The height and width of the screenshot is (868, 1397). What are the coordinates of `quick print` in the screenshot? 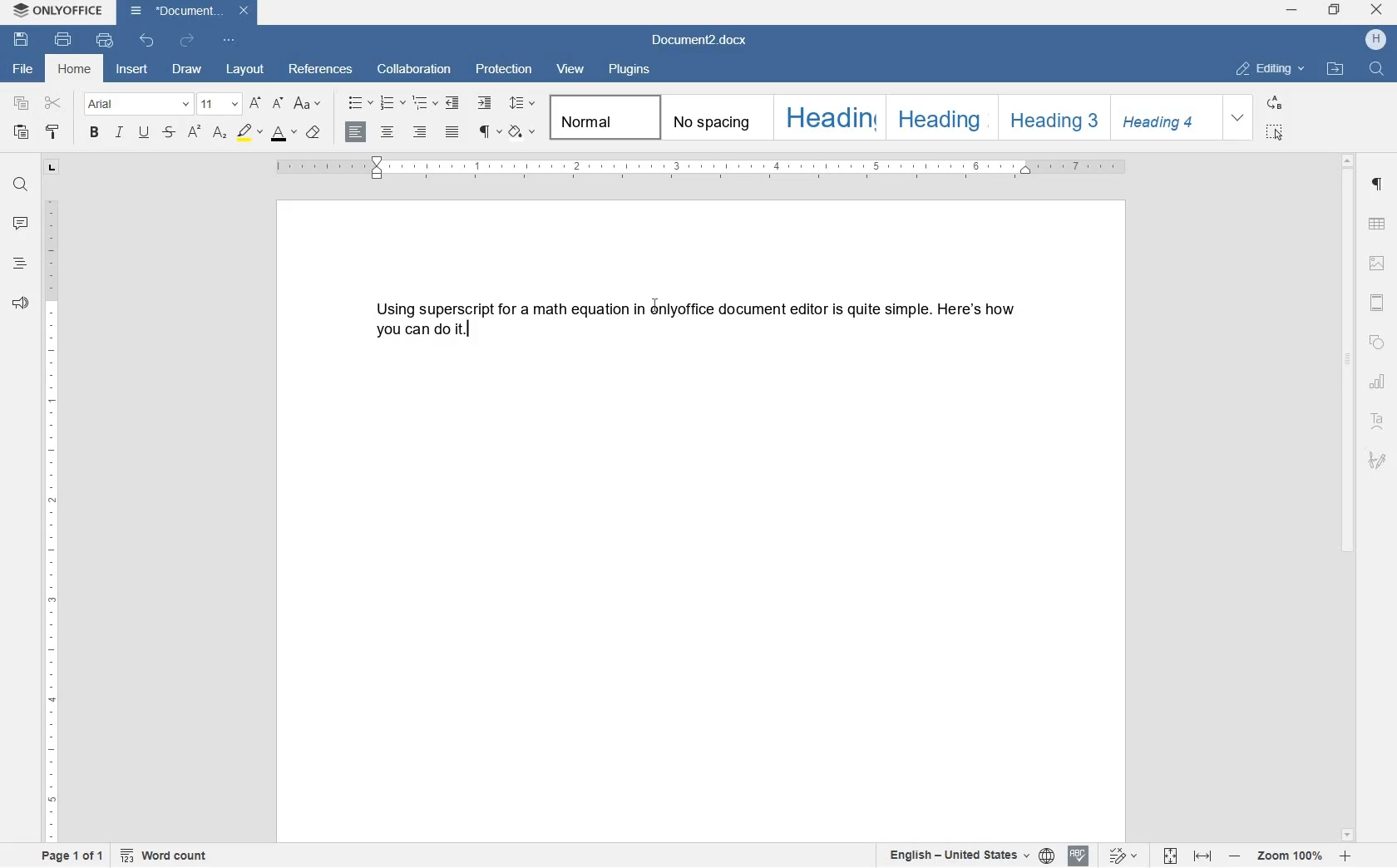 It's located at (103, 40).